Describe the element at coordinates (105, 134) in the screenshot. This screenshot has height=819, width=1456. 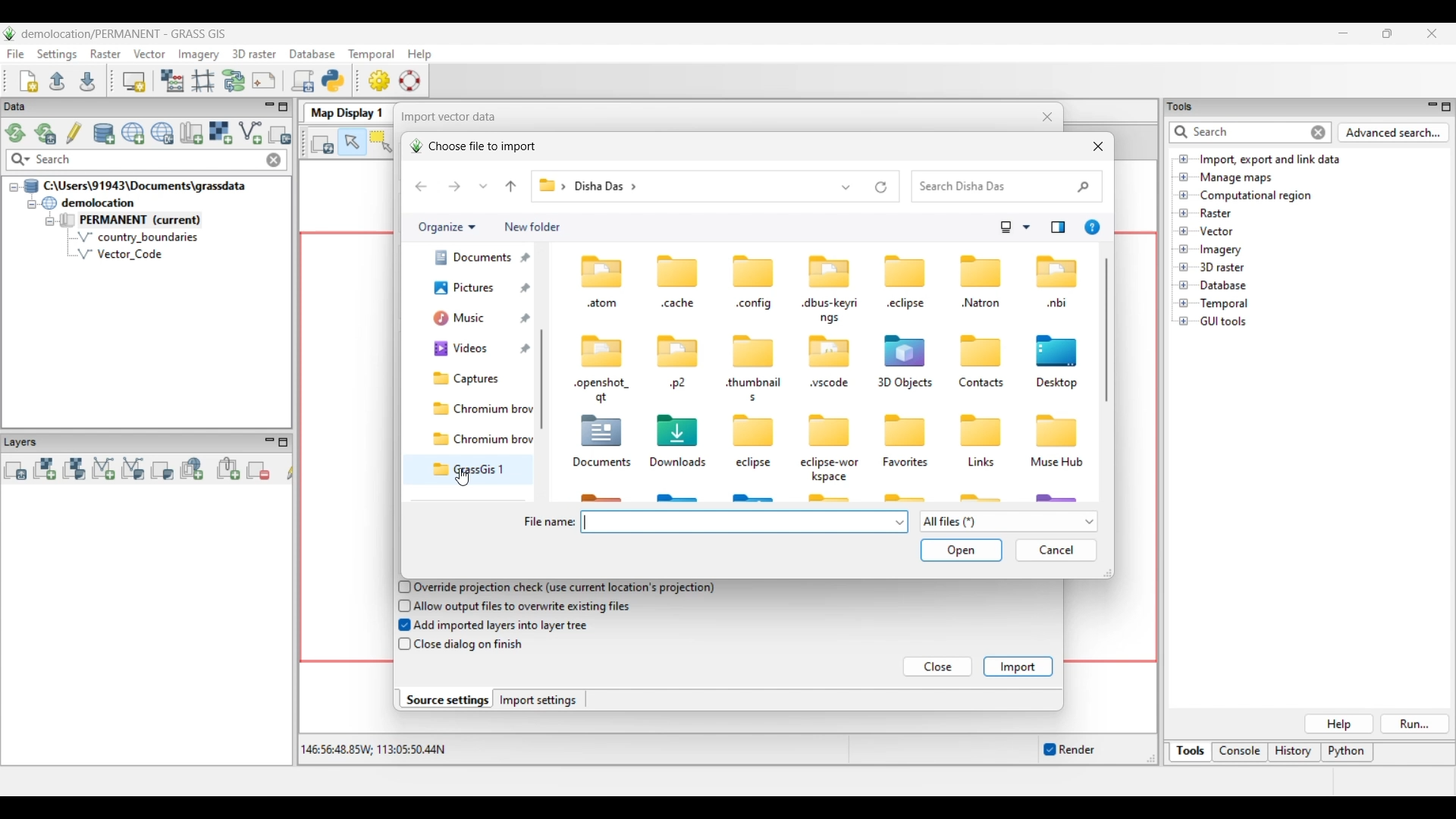
I see `Add existing or create new database` at that location.